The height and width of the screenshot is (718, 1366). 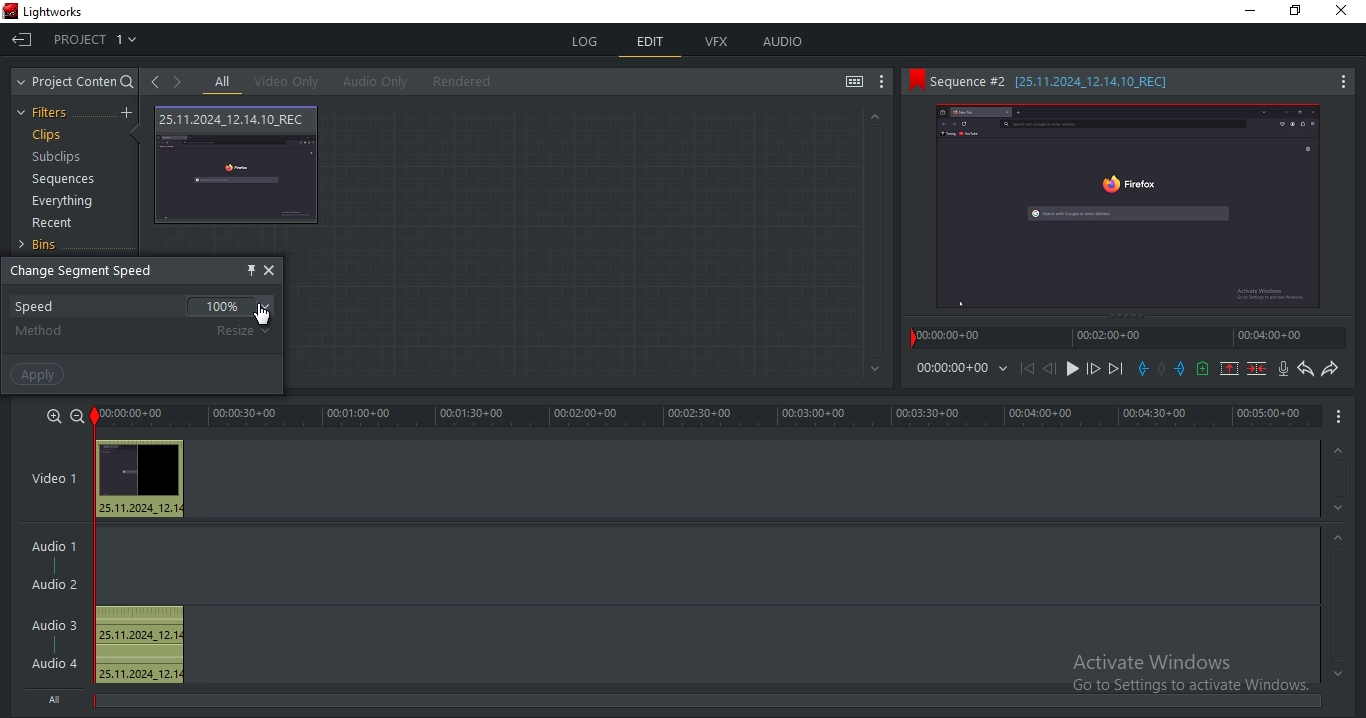 I want to click on 100%, so click(x=234, y=305).